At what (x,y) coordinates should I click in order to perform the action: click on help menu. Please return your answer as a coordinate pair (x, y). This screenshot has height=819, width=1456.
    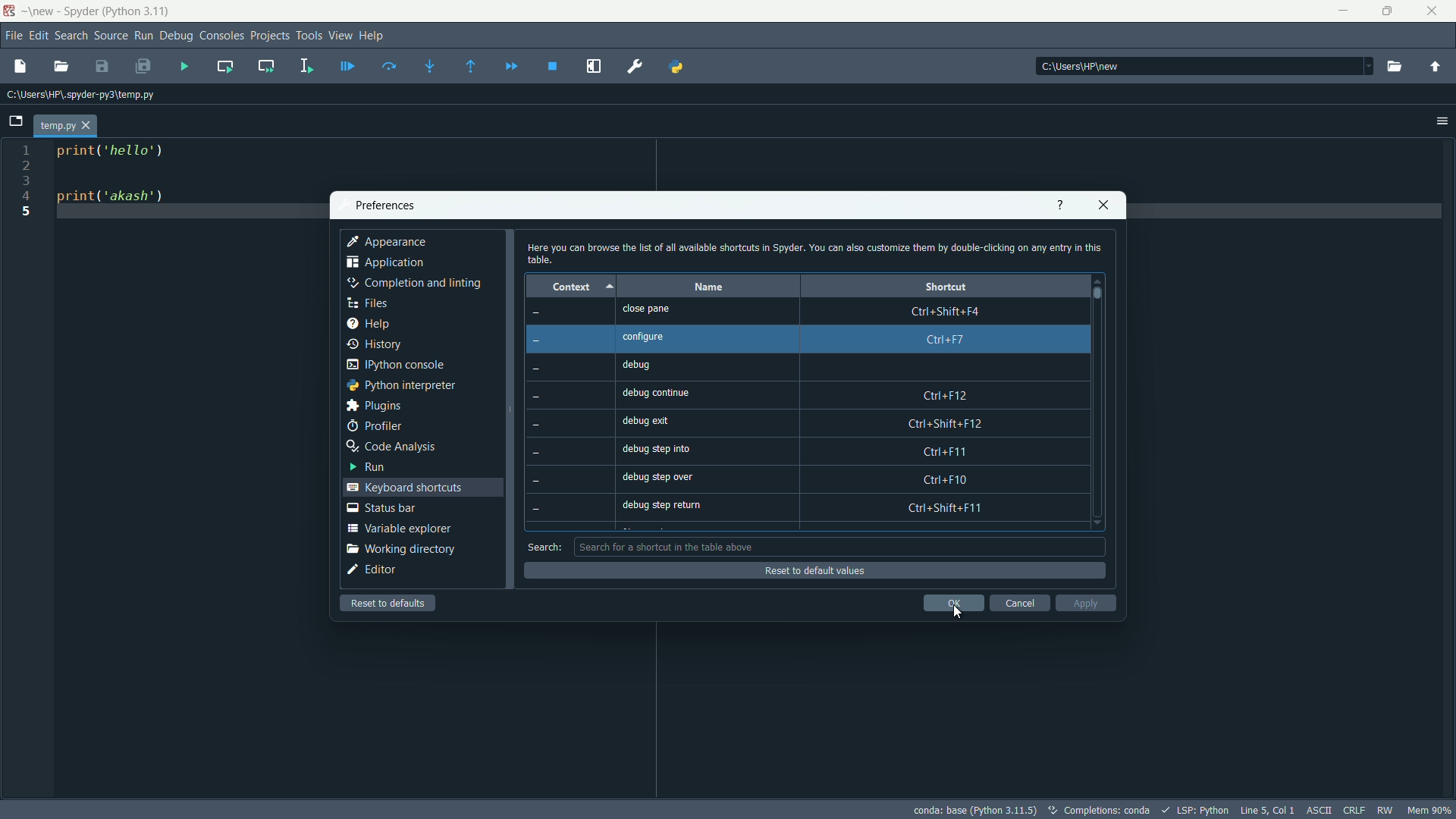
    Looking at the image, I should click on (372, 36).